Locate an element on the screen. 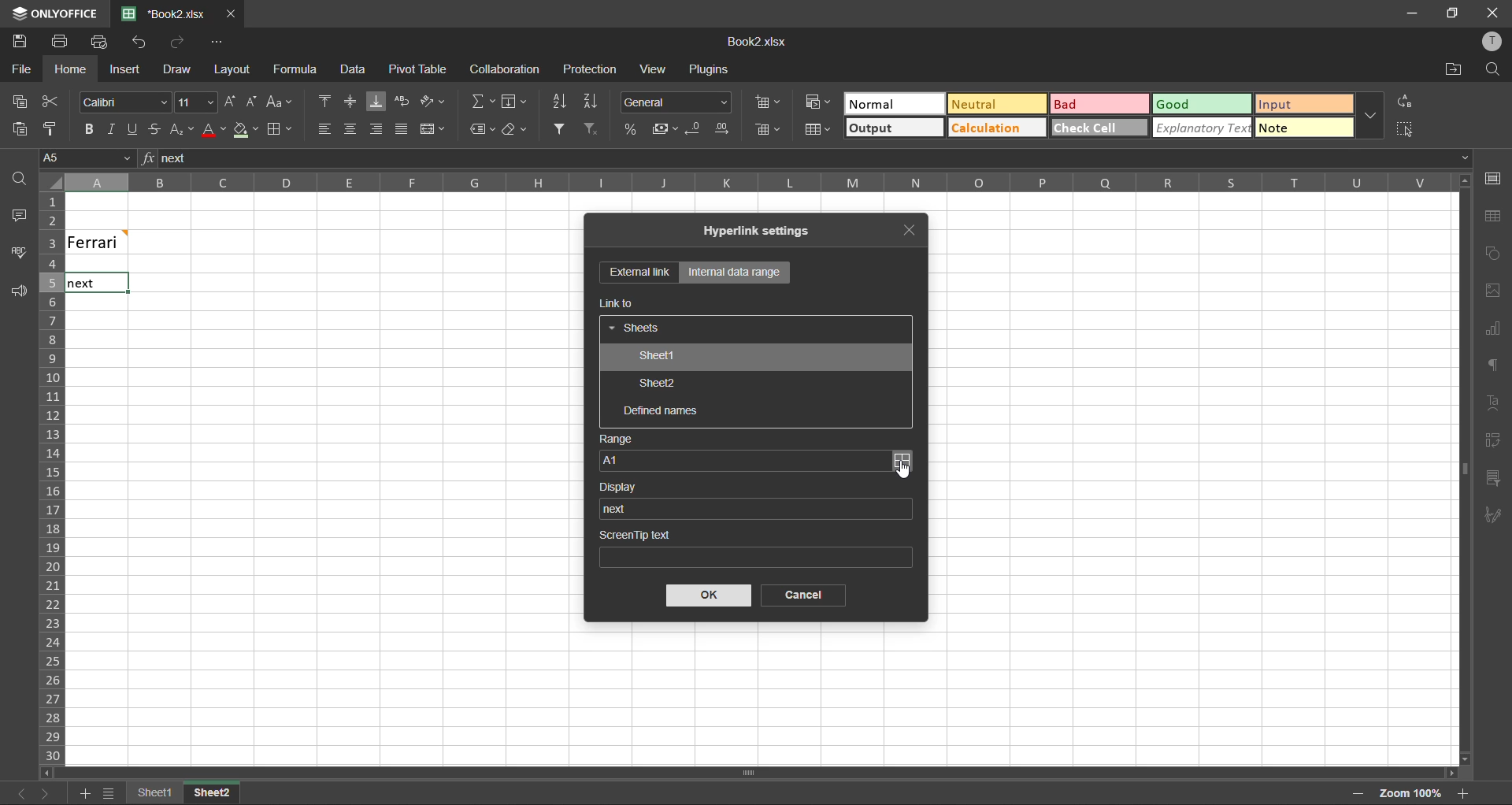 Image resolution: width=1512 pixels, height=805 pixels. calculation is located at coordinates (992, 129).